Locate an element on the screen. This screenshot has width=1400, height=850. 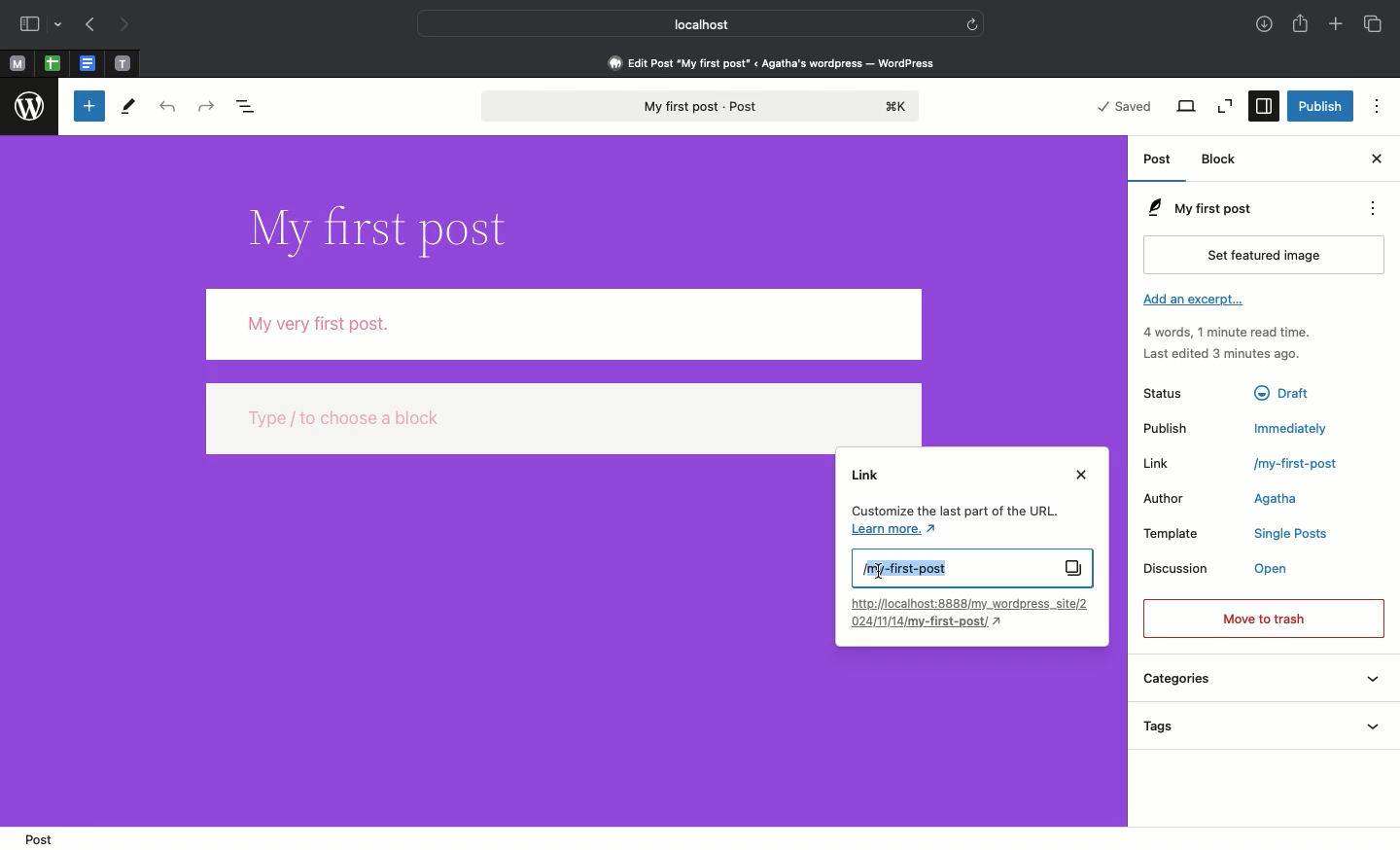
Downloads is located at coordinates (1264, 24).